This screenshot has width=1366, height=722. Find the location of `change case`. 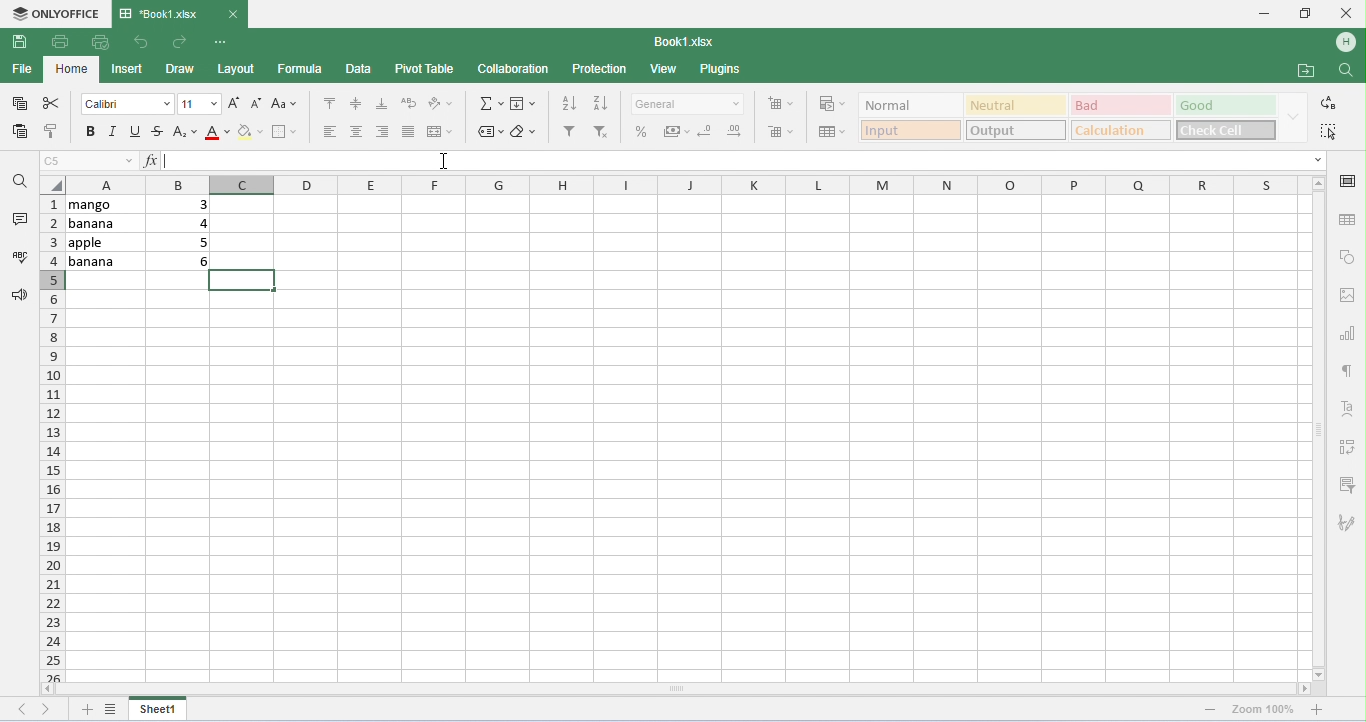

change case is located at coordinates (283, 104).